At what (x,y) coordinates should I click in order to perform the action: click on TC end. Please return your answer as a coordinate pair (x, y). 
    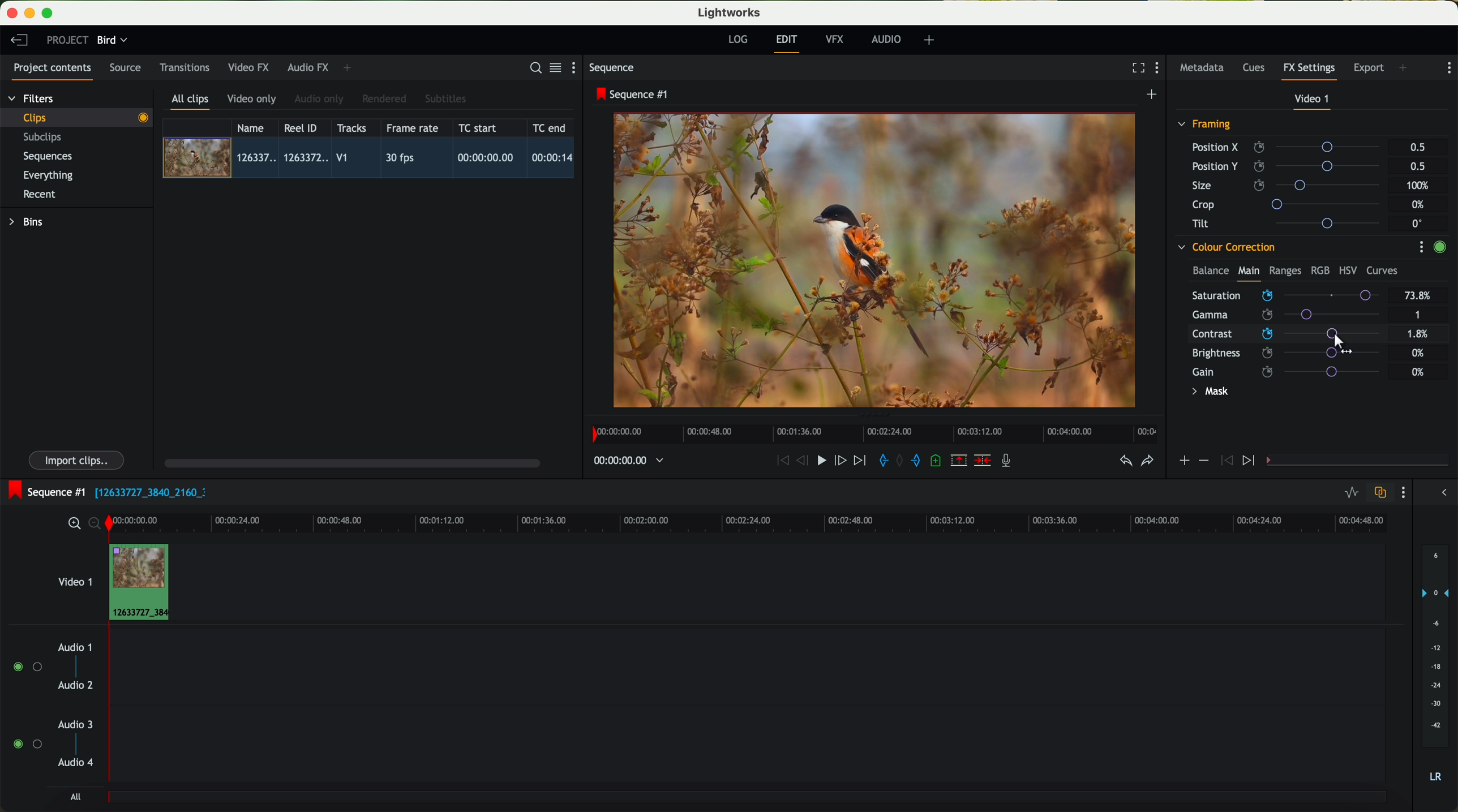
    Looking at the image, I should click on (550, 127).